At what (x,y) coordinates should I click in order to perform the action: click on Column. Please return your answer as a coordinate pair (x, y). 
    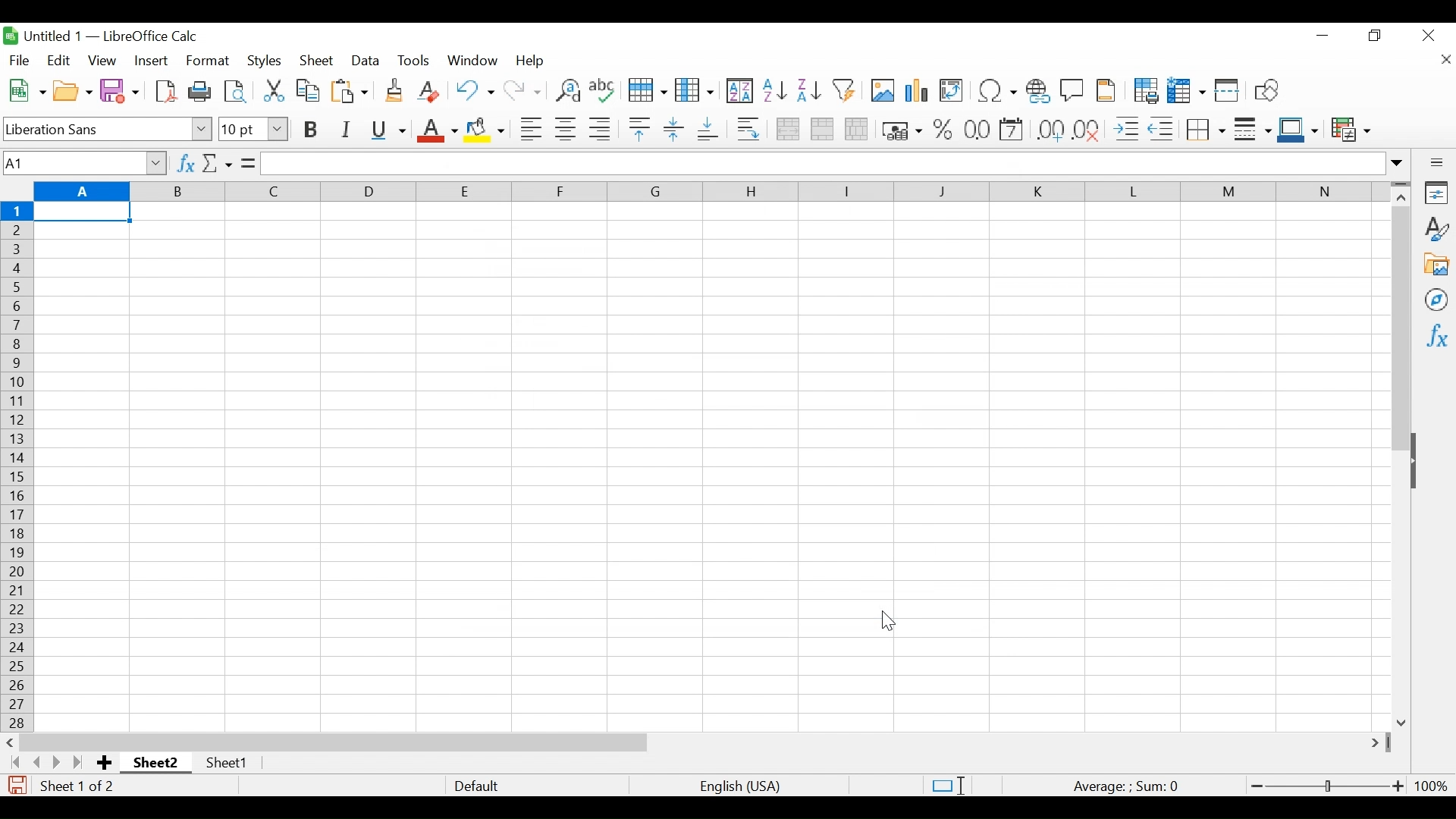
    Looking at the image, I should click on (695, 90).